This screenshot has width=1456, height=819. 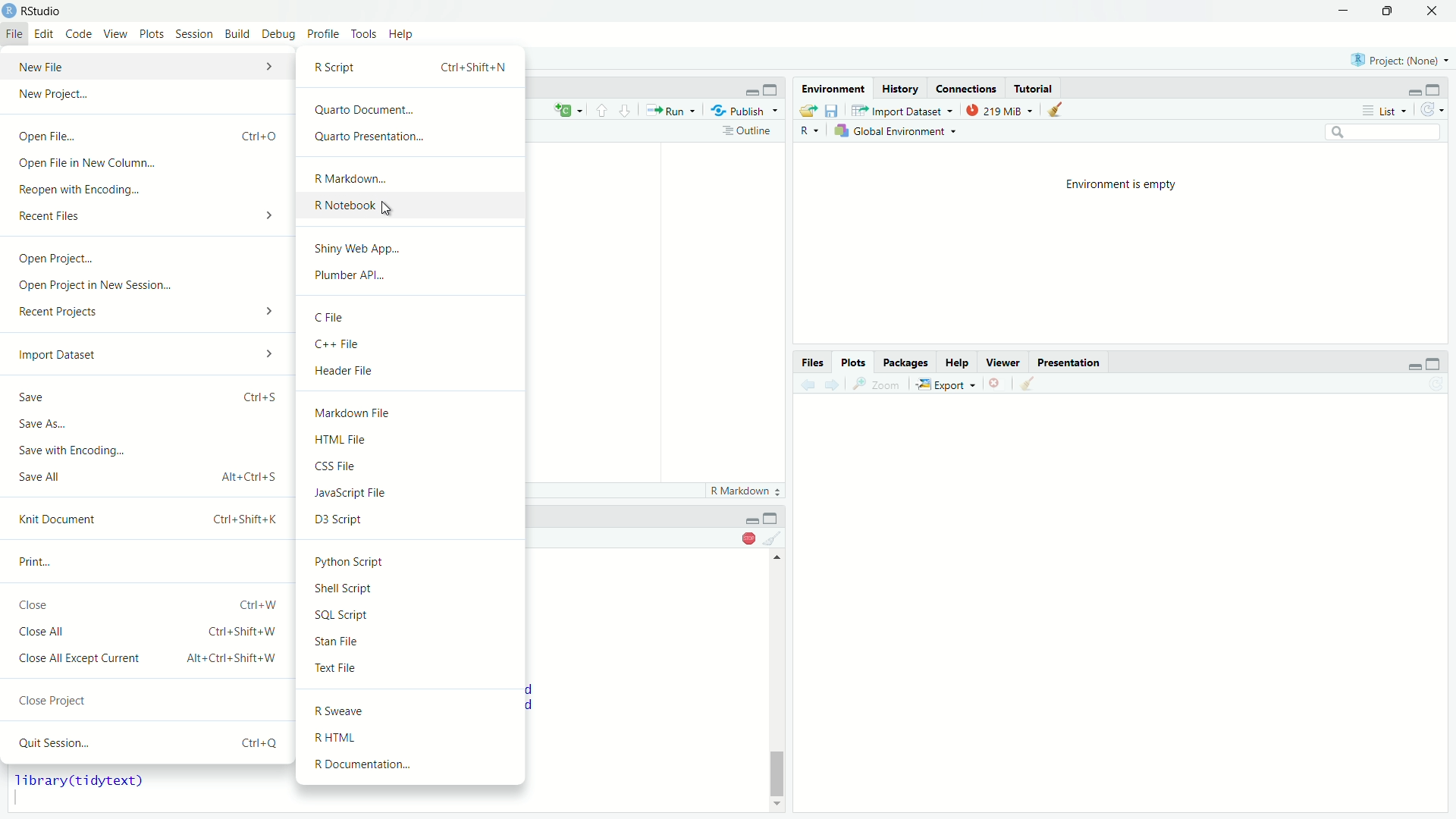 What do you see at coordinates (852, 362) in the screenshot?
I see `plots` at bounding box center [852, 362].